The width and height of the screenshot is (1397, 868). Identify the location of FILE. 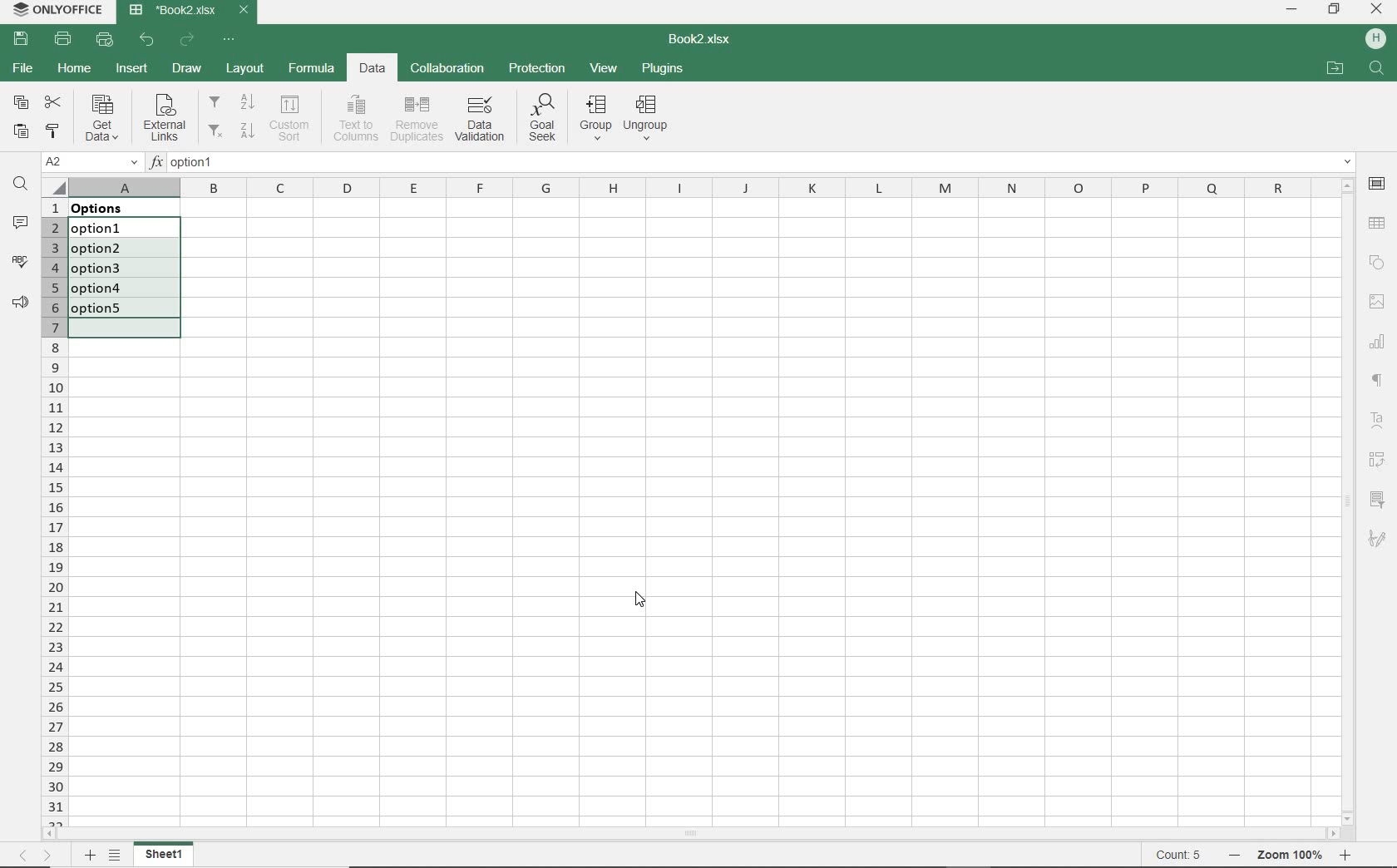
(22, 71).